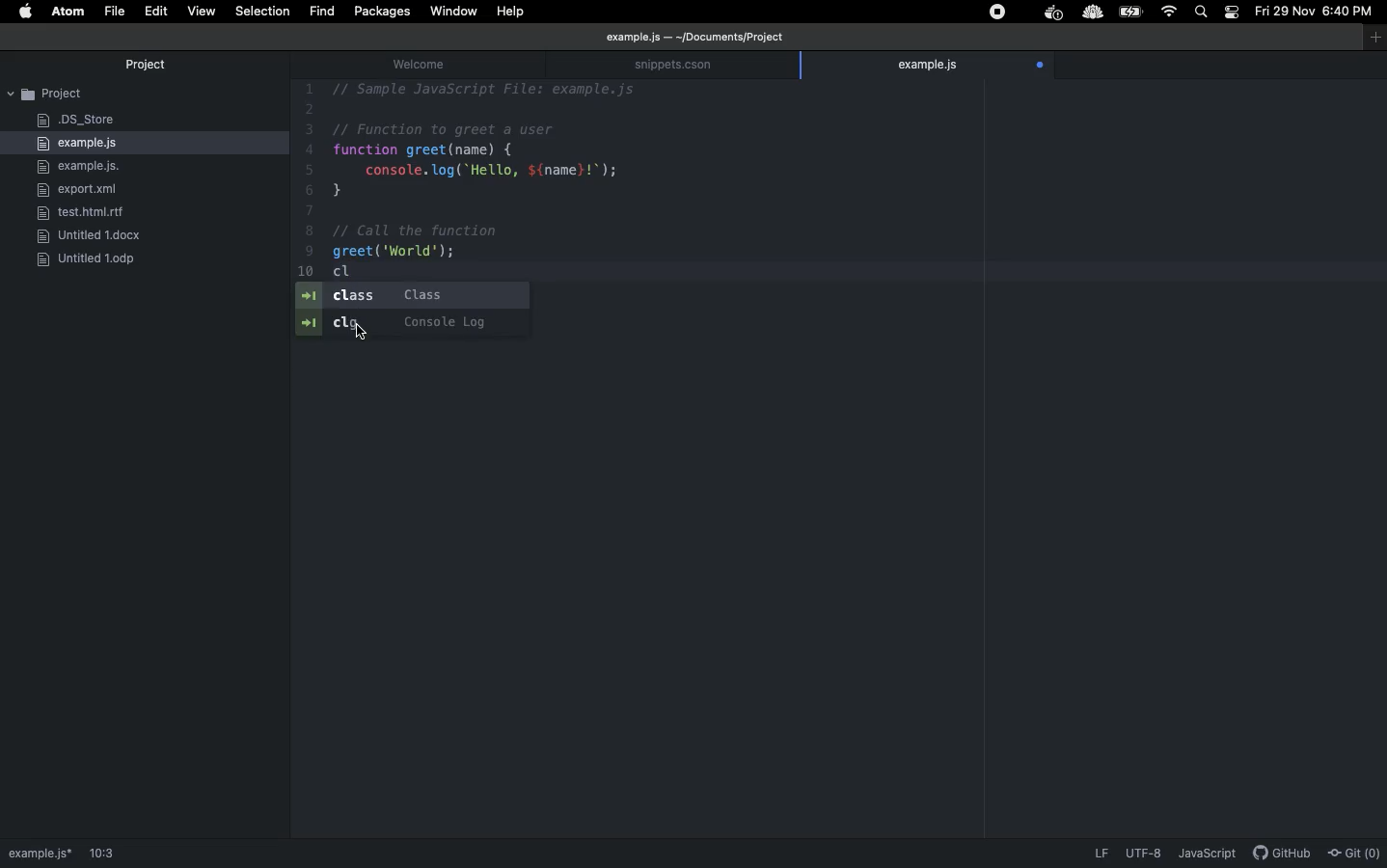  Describe the element at coordinates (38, 852) in the screenshot. I see `path` at that location.